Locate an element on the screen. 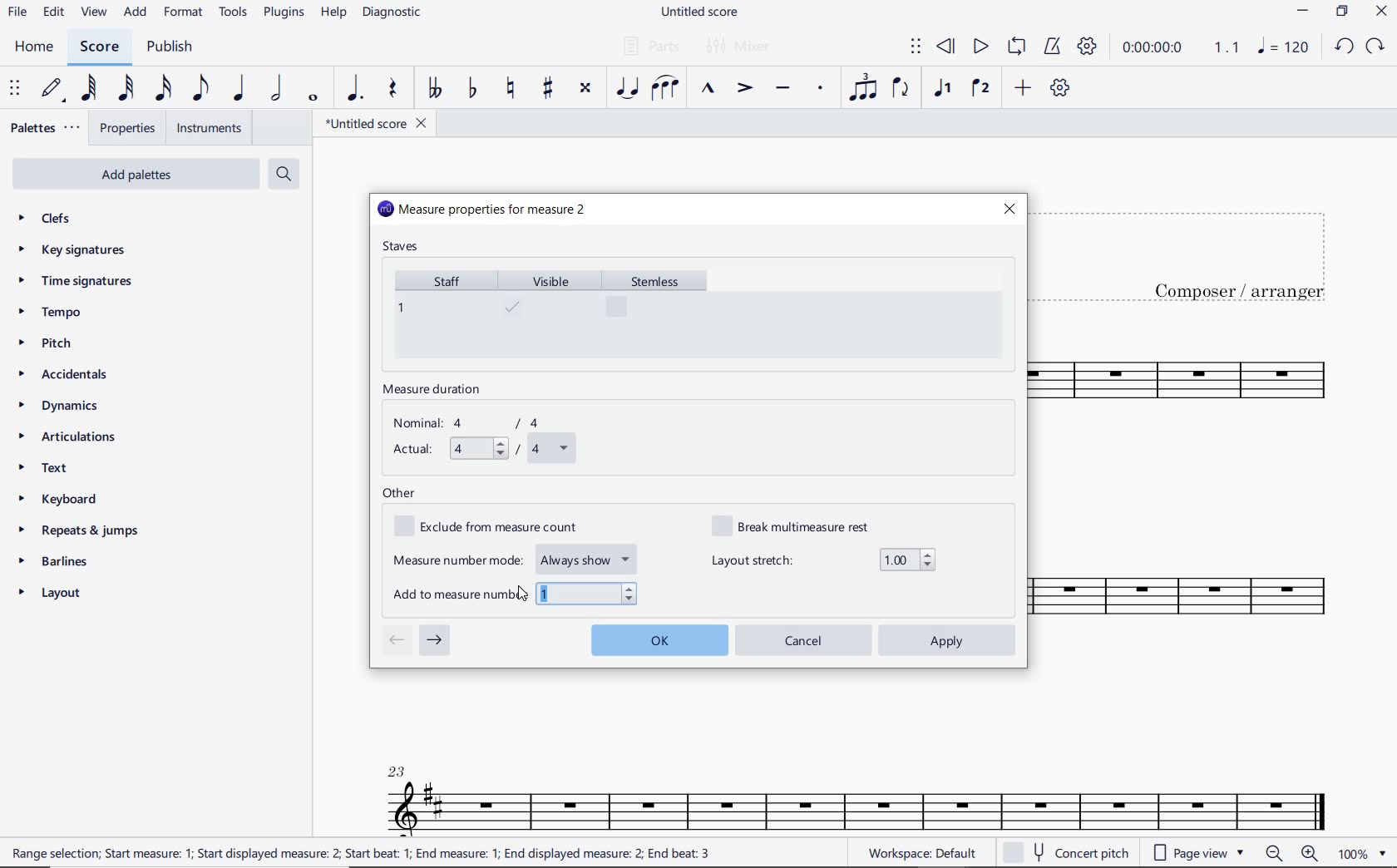 Image resolution: width=1397 pixels, height=868 pixels. layout stretch is located at coordinates (823, 560).